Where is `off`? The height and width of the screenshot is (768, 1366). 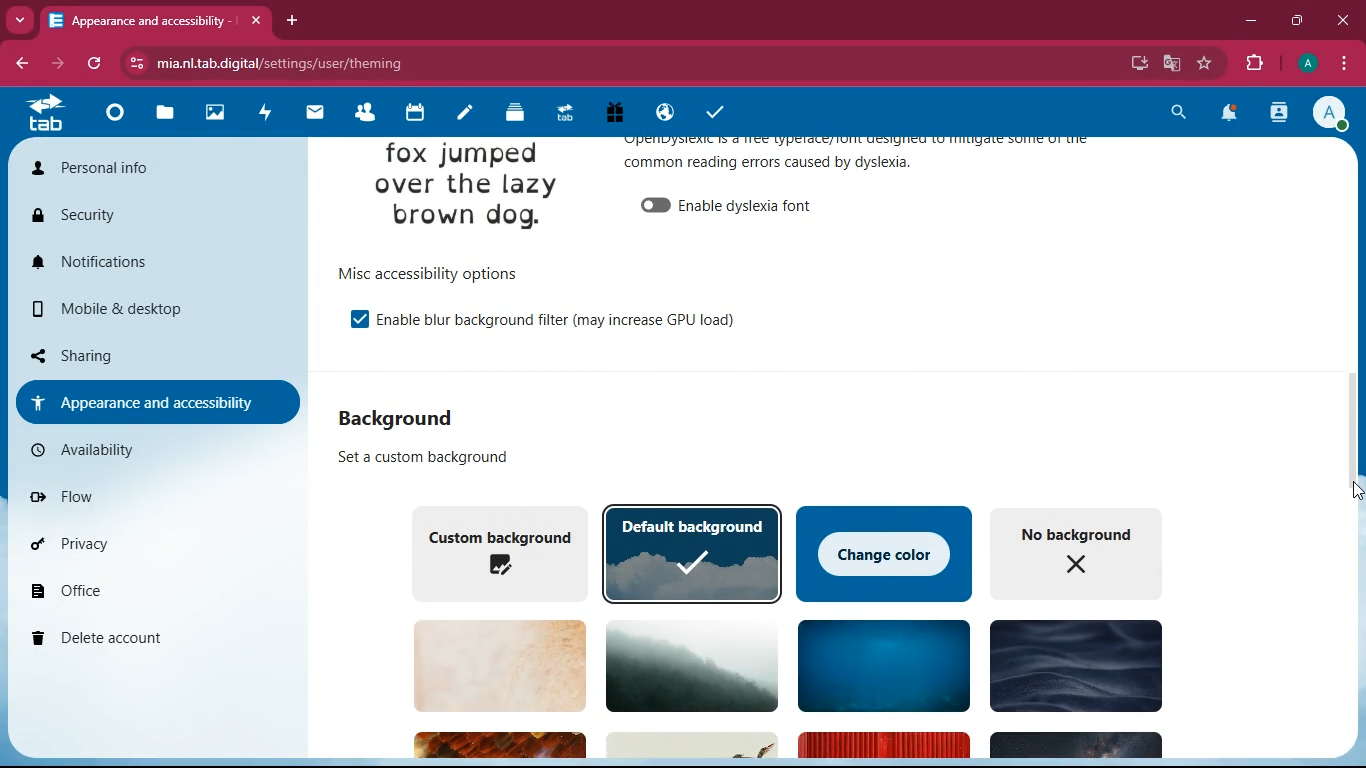 off is located at coordinates (656, 205).